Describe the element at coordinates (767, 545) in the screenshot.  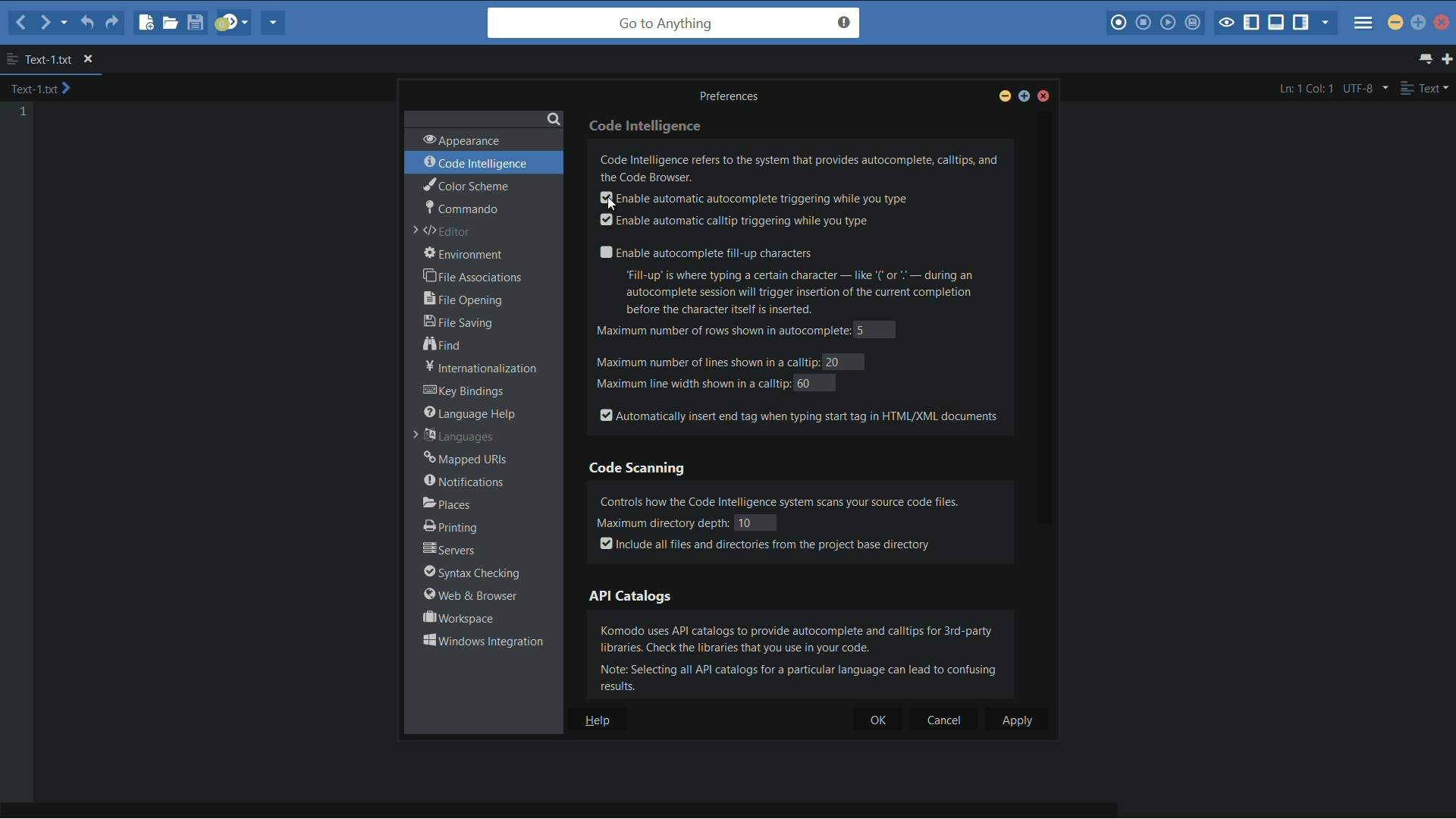
I see `Include all files and directories from the project base directory` at that location.